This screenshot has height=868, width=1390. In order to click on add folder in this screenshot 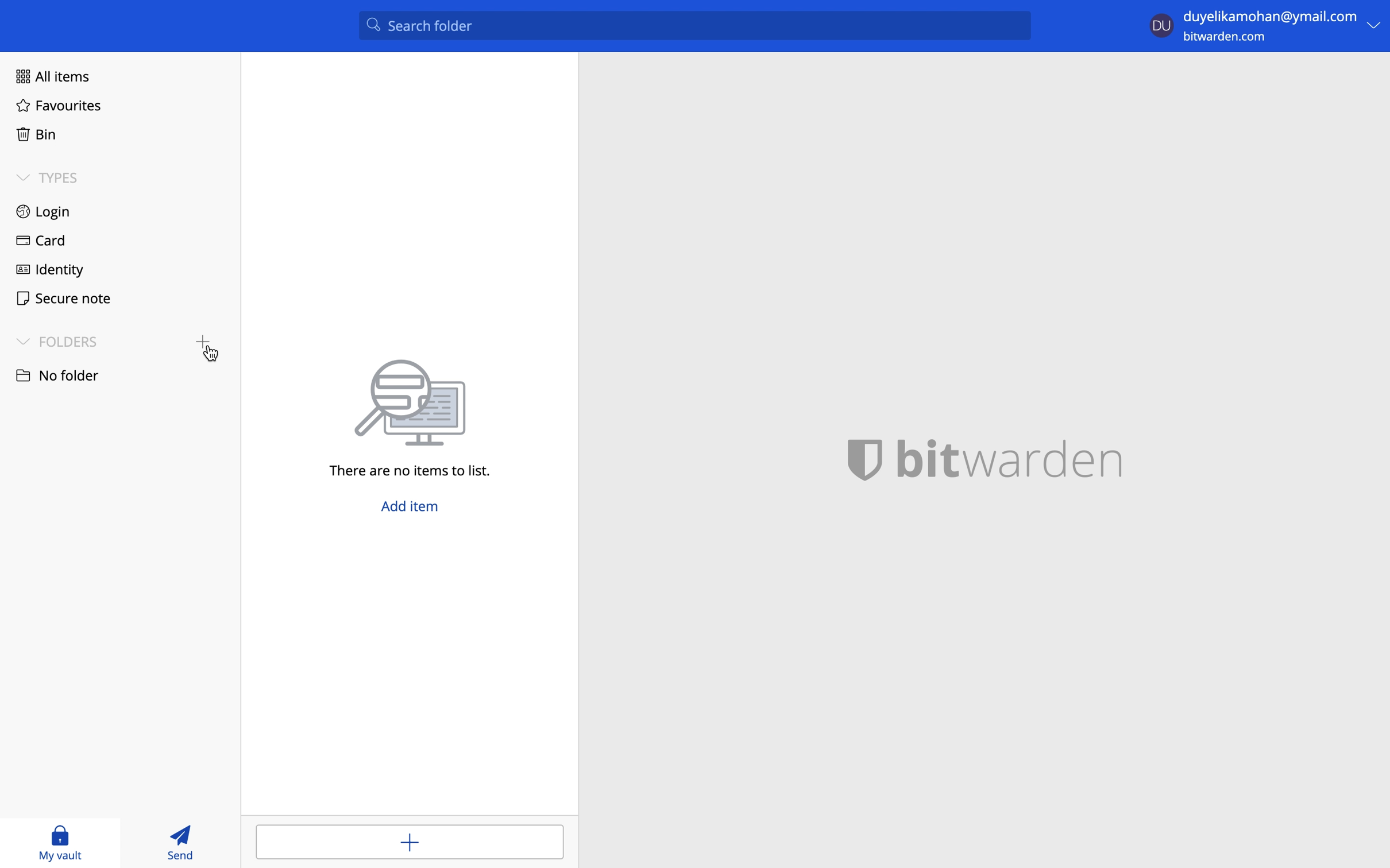, I will do `click(199, 338)`.